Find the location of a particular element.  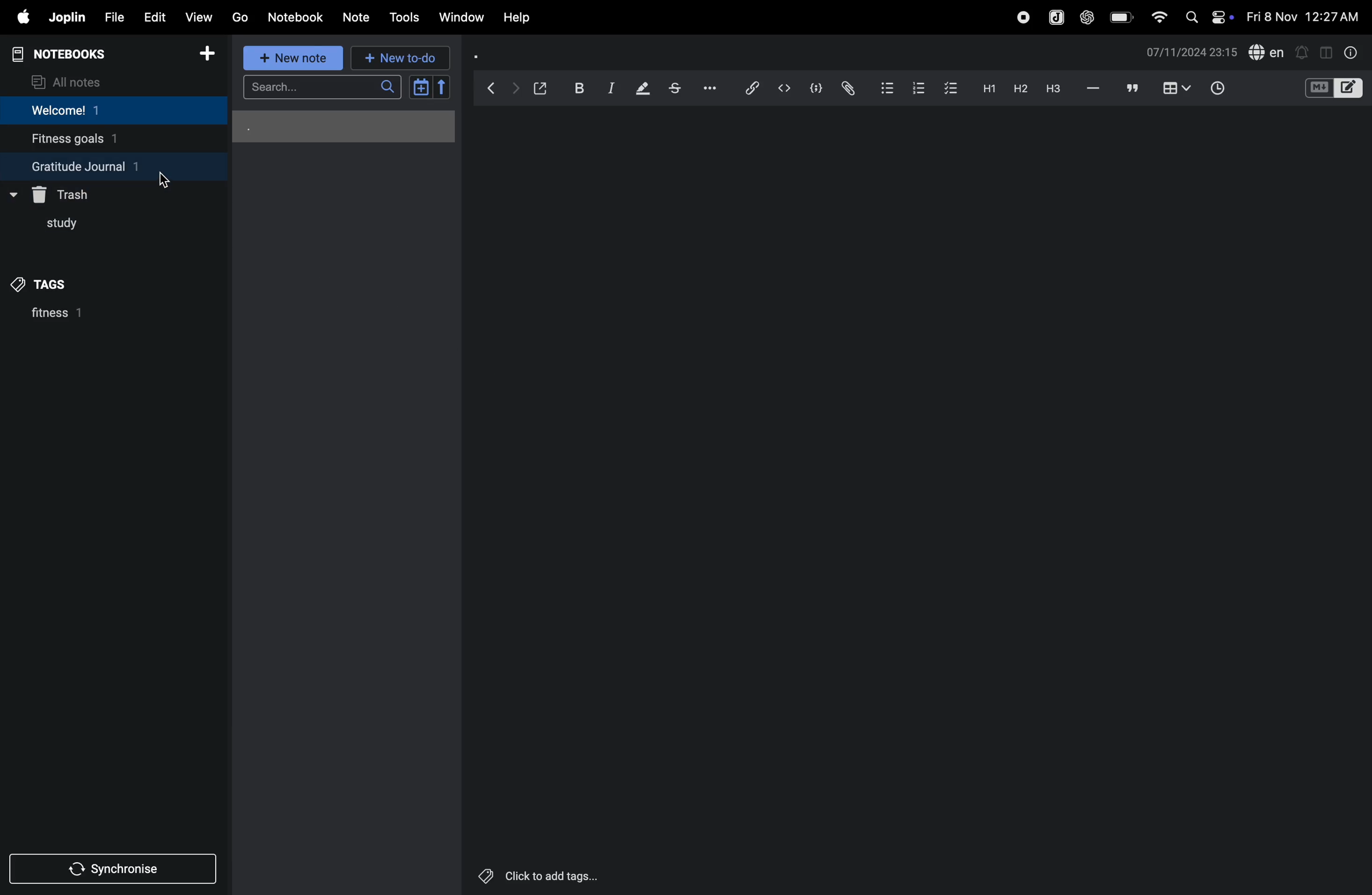

insert time is located at coordinates (1215, 89).